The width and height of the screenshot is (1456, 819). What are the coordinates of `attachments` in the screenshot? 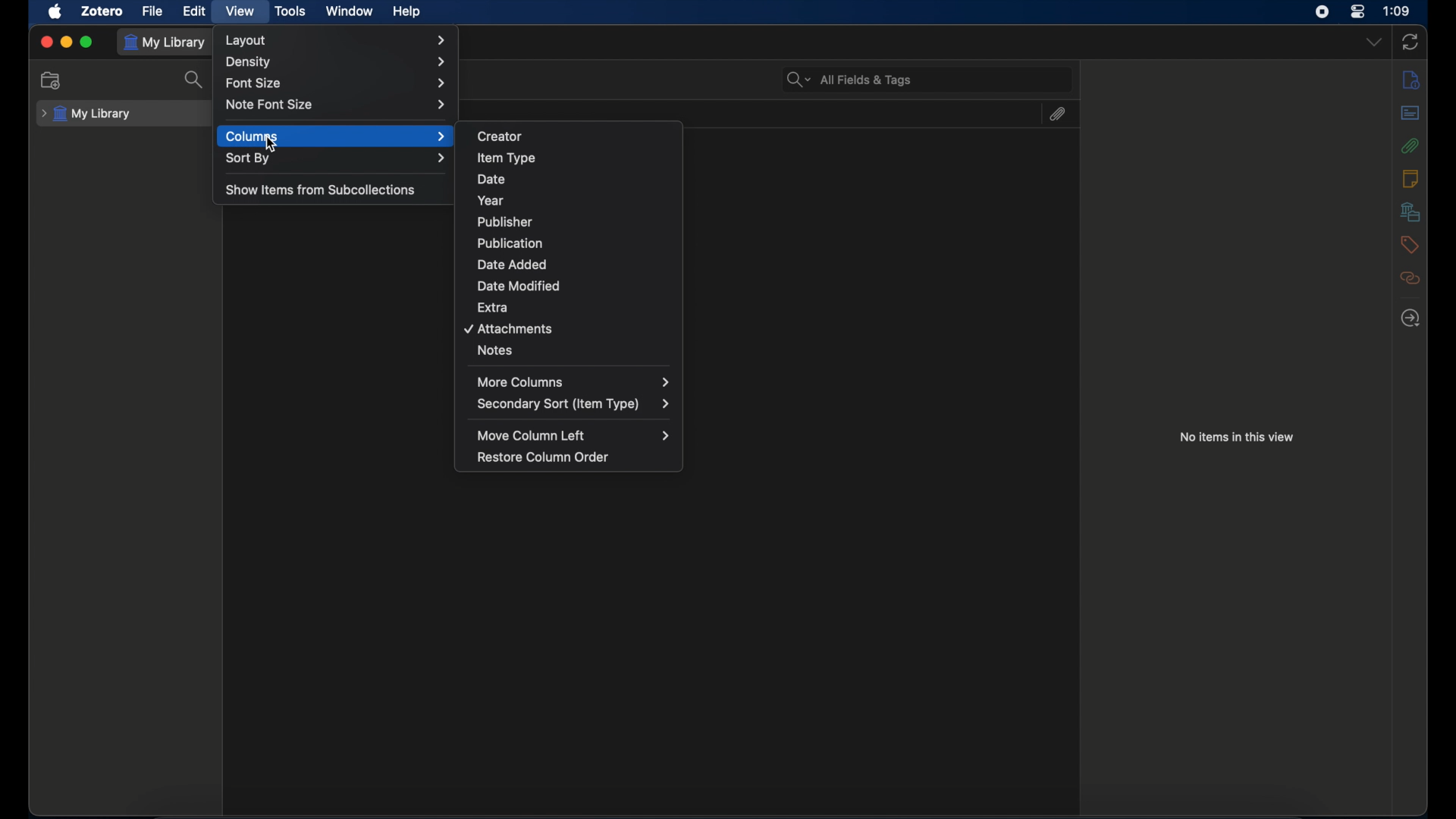 It's located at (510, 329).